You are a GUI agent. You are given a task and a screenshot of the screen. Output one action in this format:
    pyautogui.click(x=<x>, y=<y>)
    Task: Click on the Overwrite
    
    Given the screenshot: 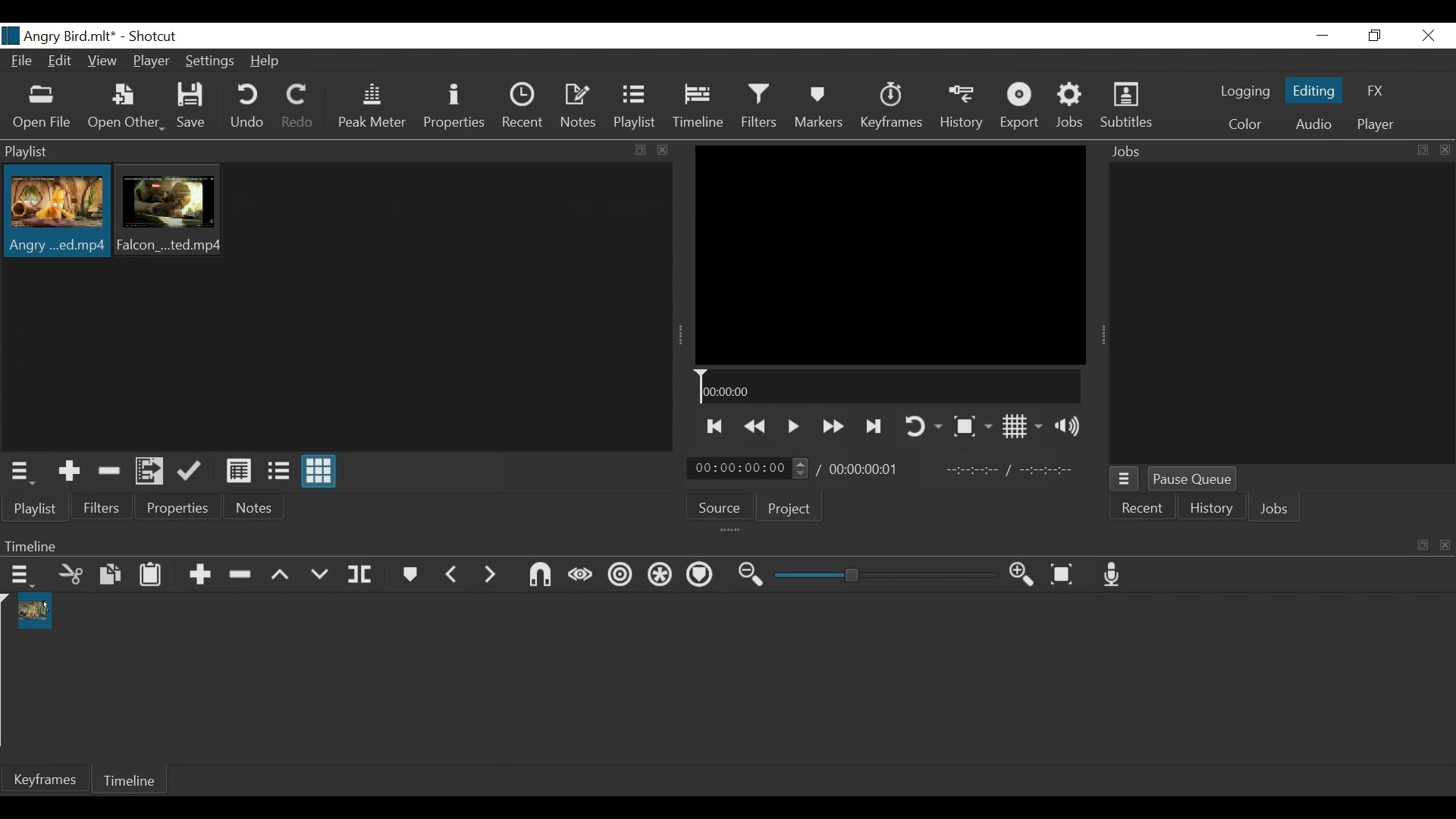 What is the action you would take?
    pyautogui.click(x=324, y=574)
    